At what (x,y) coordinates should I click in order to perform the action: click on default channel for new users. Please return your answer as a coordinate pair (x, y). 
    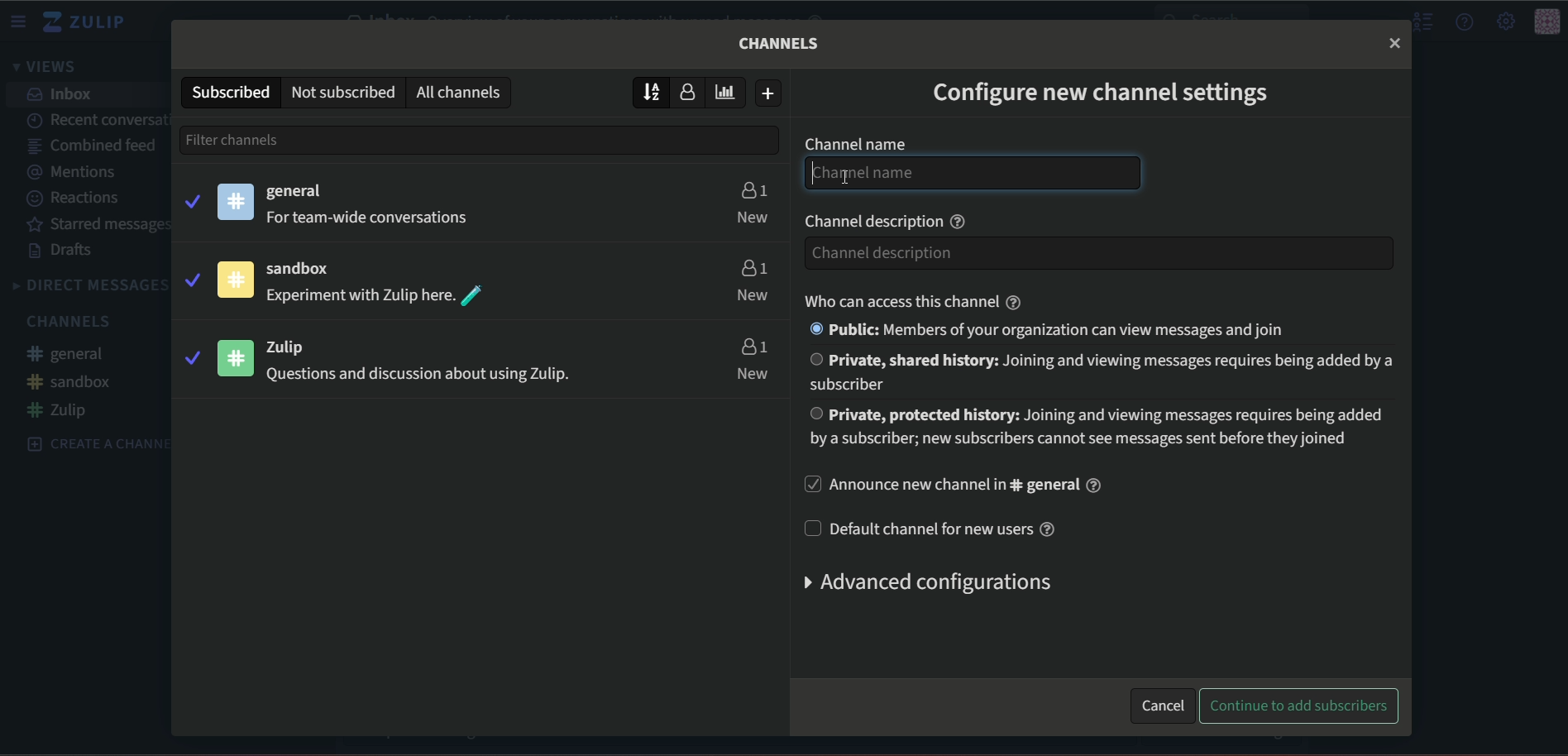
    Looking at the image, I should click on (936, 529).